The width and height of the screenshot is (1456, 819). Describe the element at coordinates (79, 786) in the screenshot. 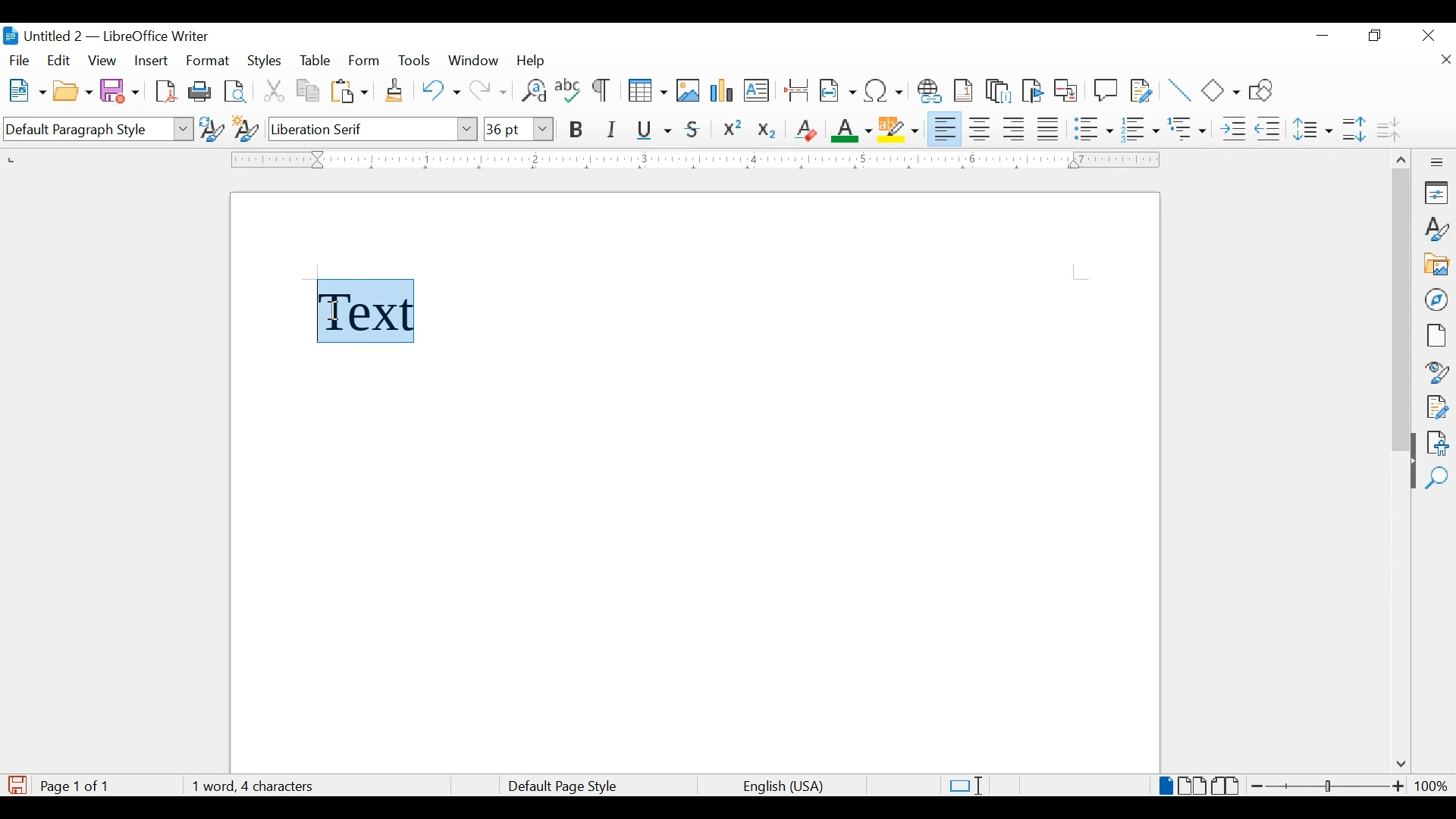

I see `page count` at that location.